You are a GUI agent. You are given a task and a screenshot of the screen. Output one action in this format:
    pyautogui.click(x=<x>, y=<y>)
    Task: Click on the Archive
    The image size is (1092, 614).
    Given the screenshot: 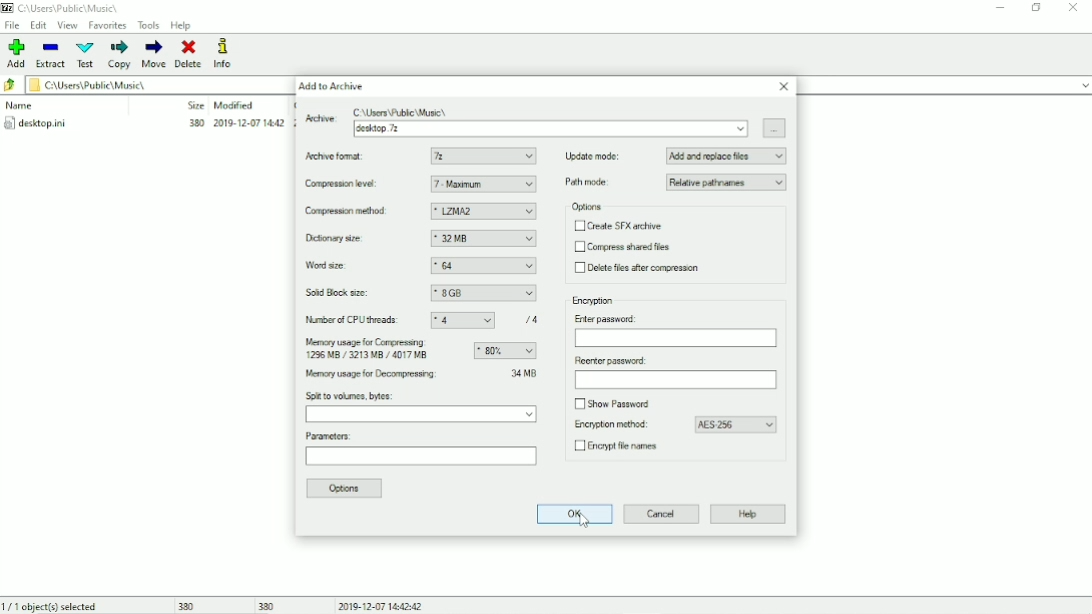 What is the action you would take?
    pyautogui.click(x=551, y=129)
    